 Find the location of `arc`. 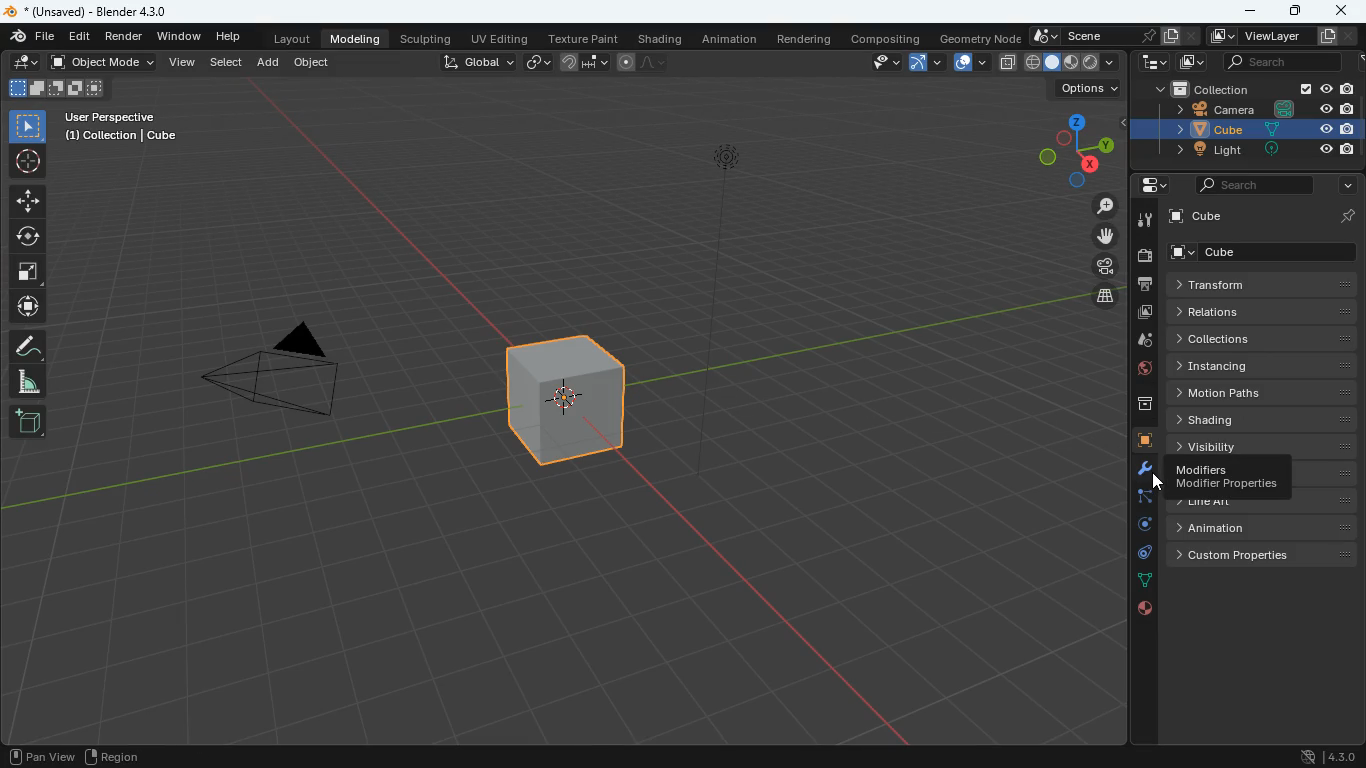

arc is located at coordinates (925, 65).